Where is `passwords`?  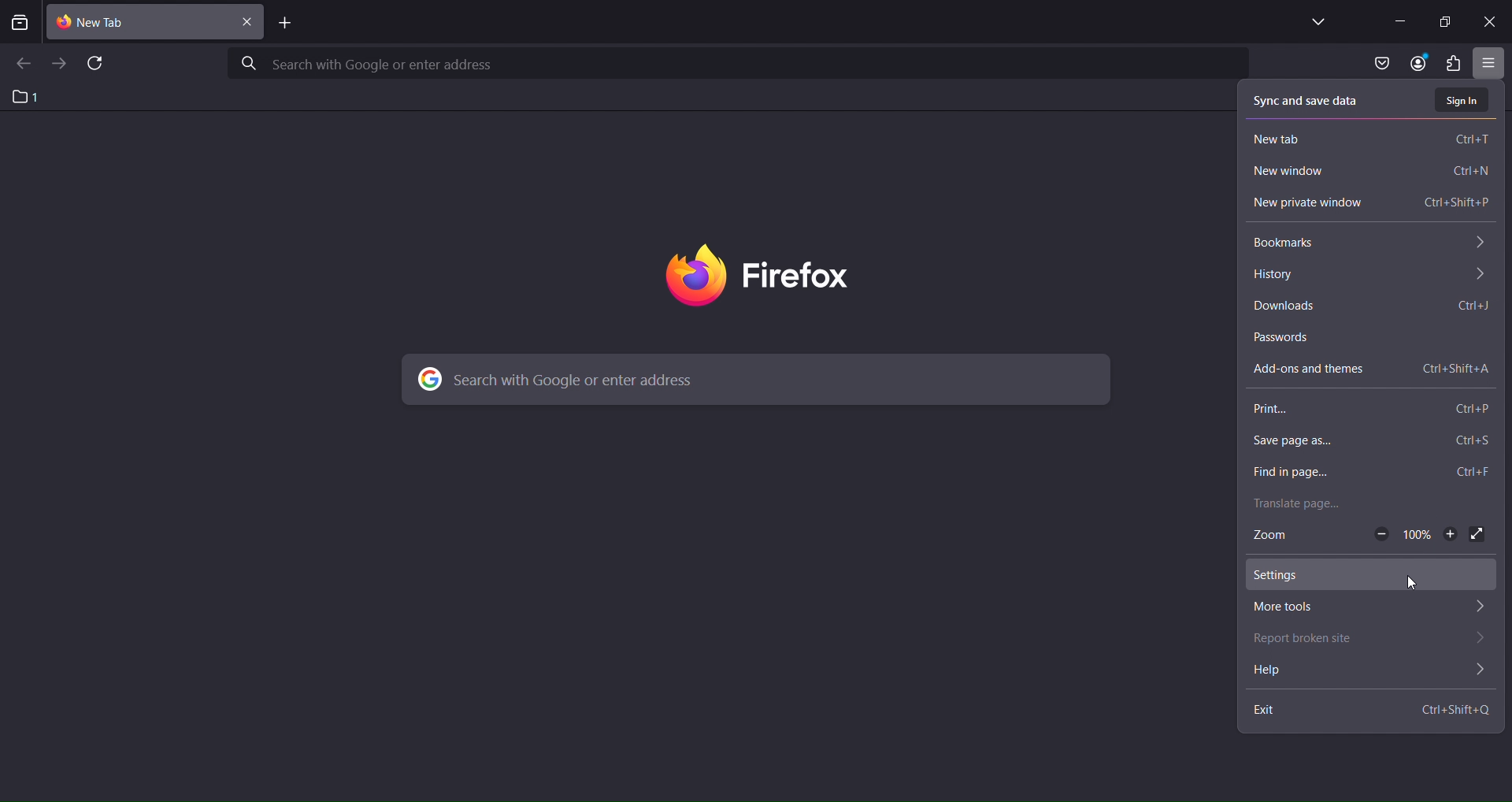 passwords is located at coordinates (1377, 340).